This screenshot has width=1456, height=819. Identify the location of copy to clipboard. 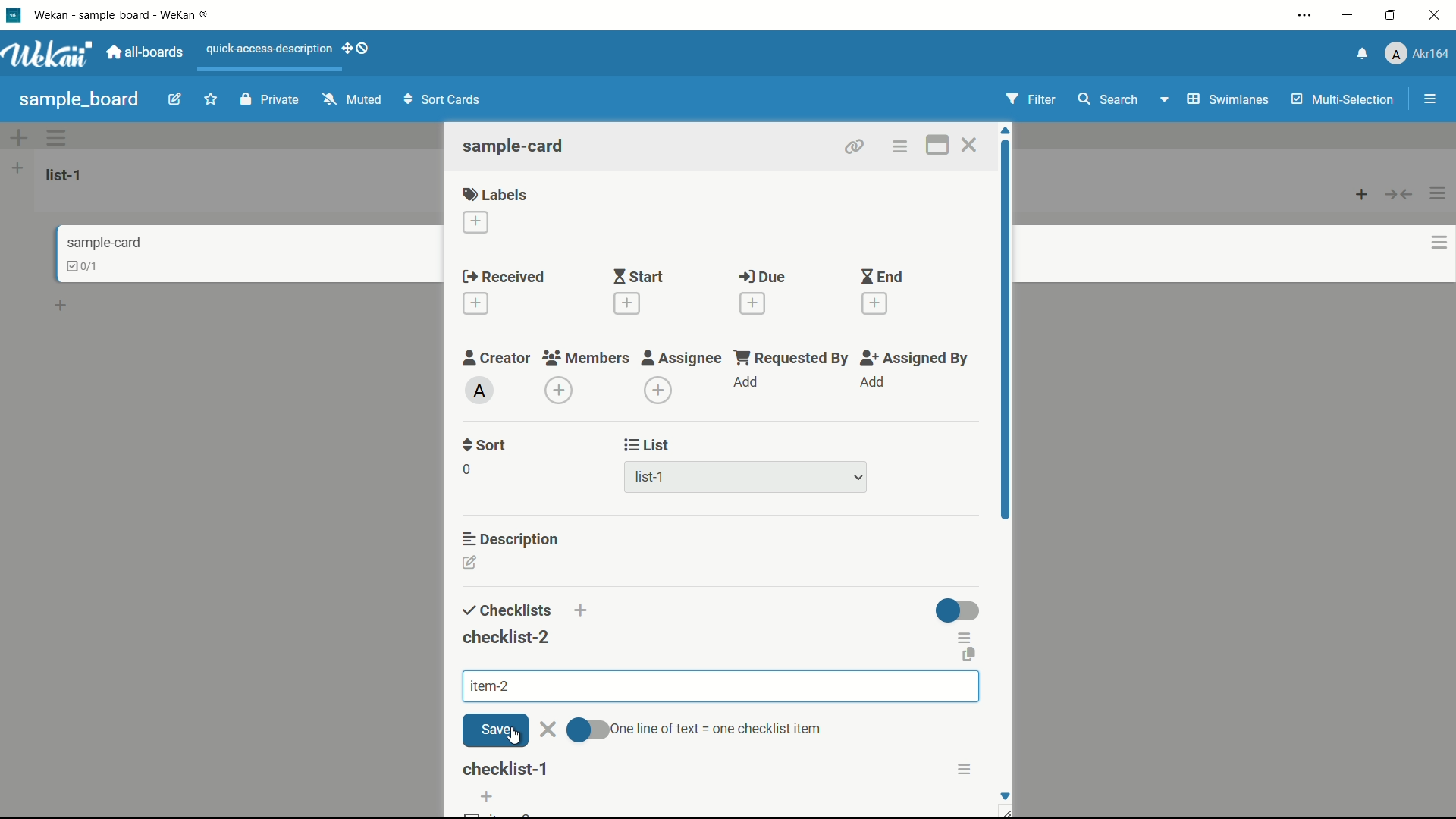
(968, 657).